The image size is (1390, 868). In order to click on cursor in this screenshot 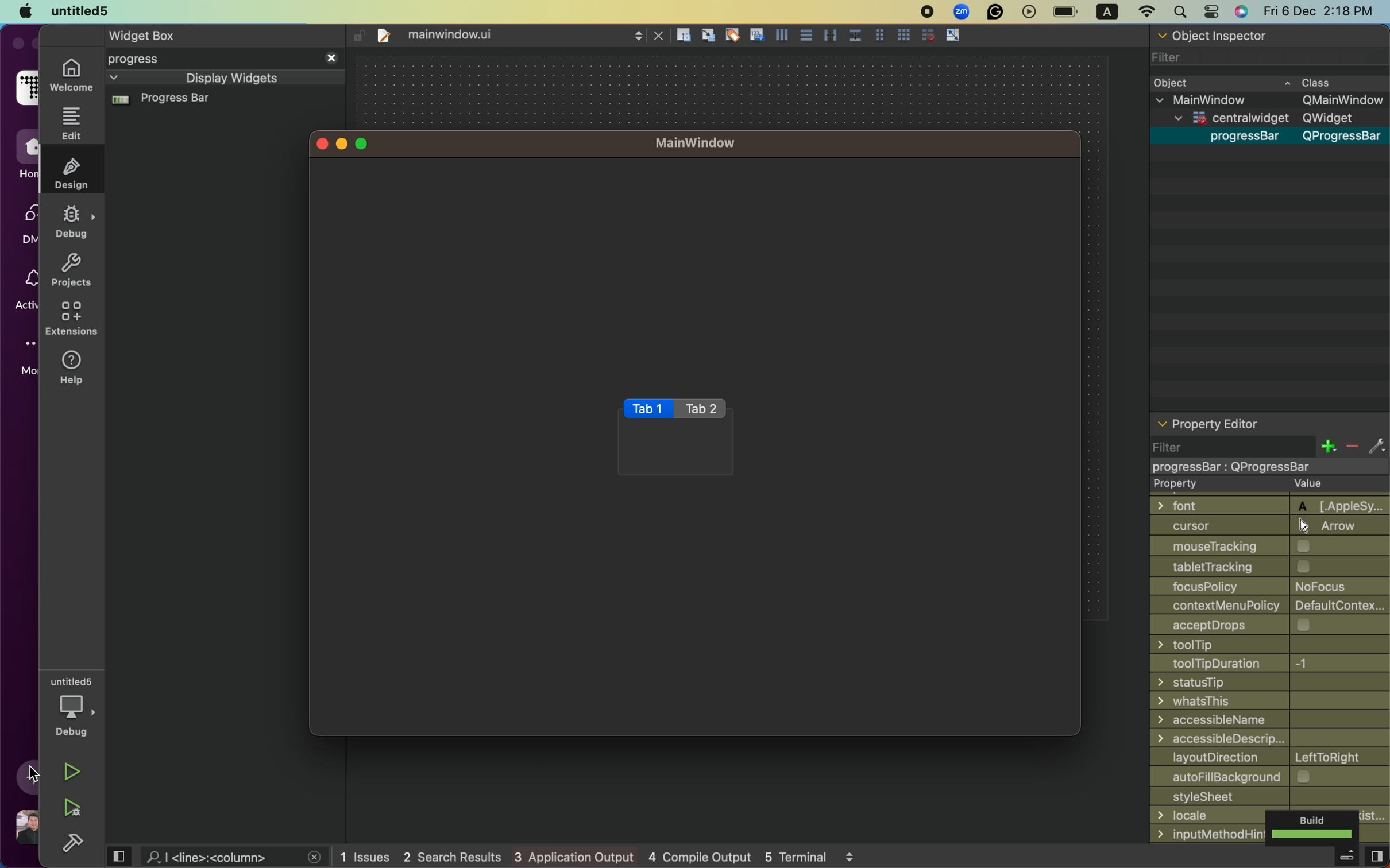, I will do `click(36, 773)`.